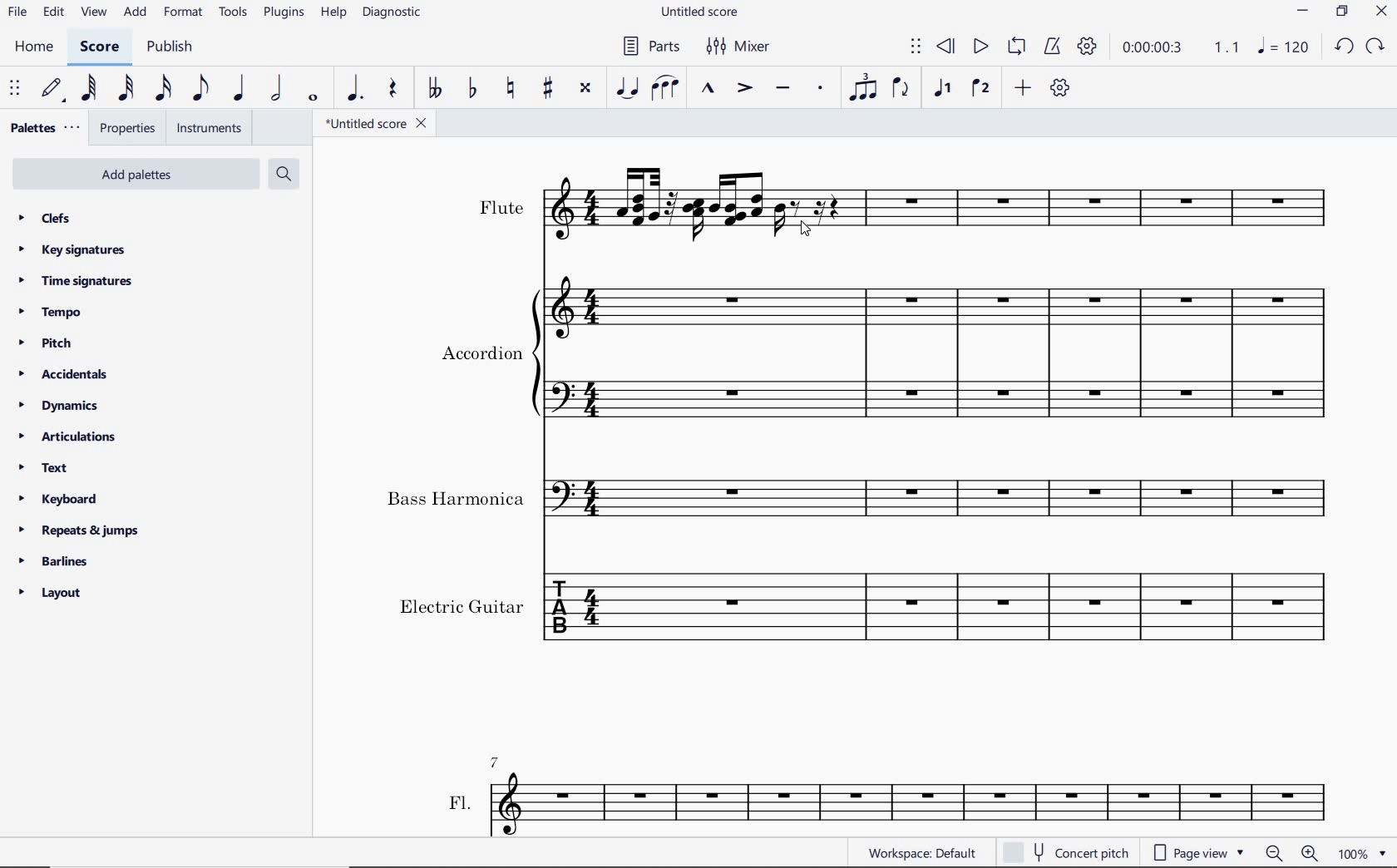 Image resolution: width=1397 pixels, height=868 pixels. Describe the element at coordinates (1342, 46) in the screenshot. I see `UNDO` at that location.